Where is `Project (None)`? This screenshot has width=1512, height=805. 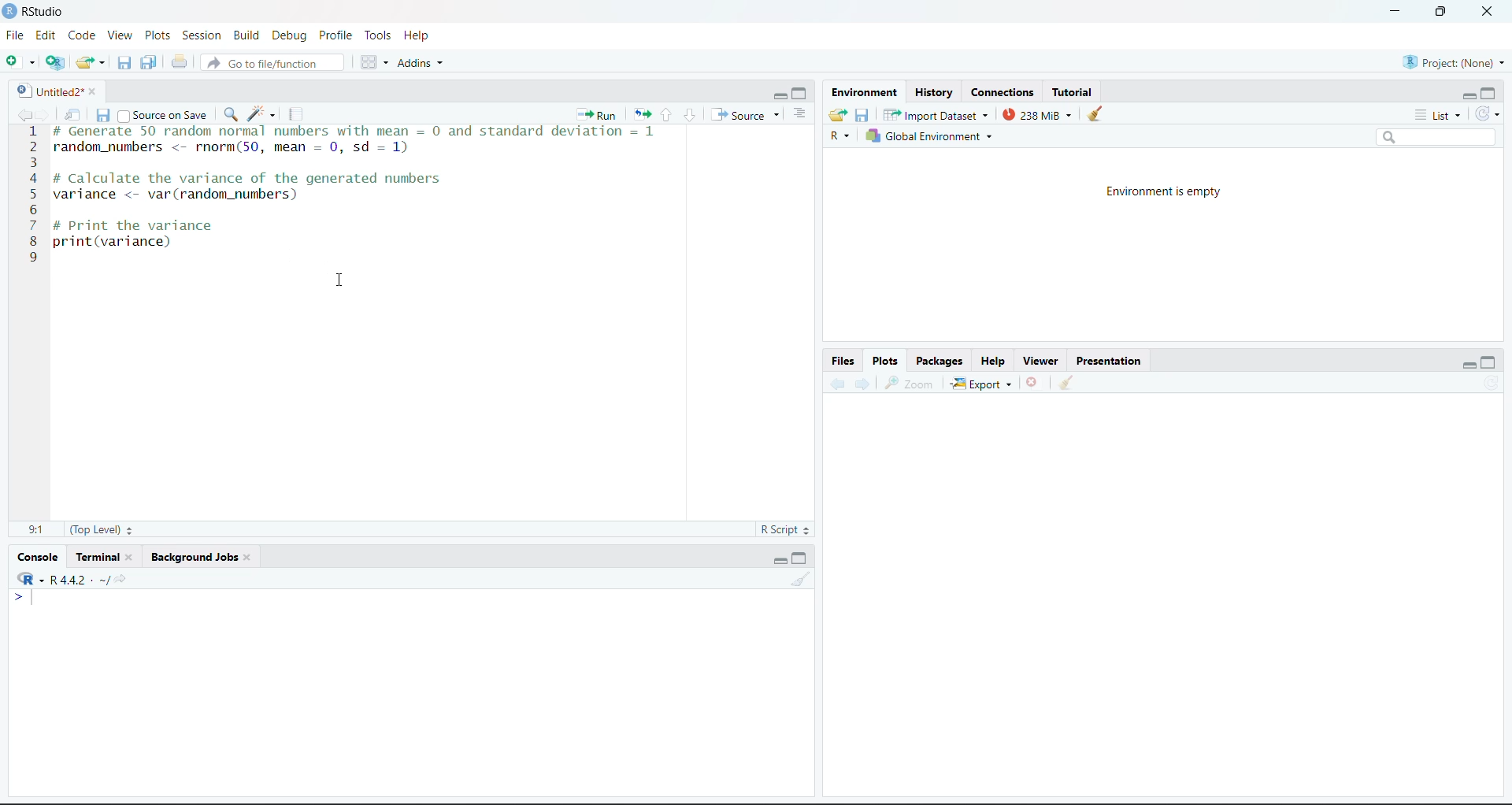 Project (None) is located at coordinates (1453, 63).